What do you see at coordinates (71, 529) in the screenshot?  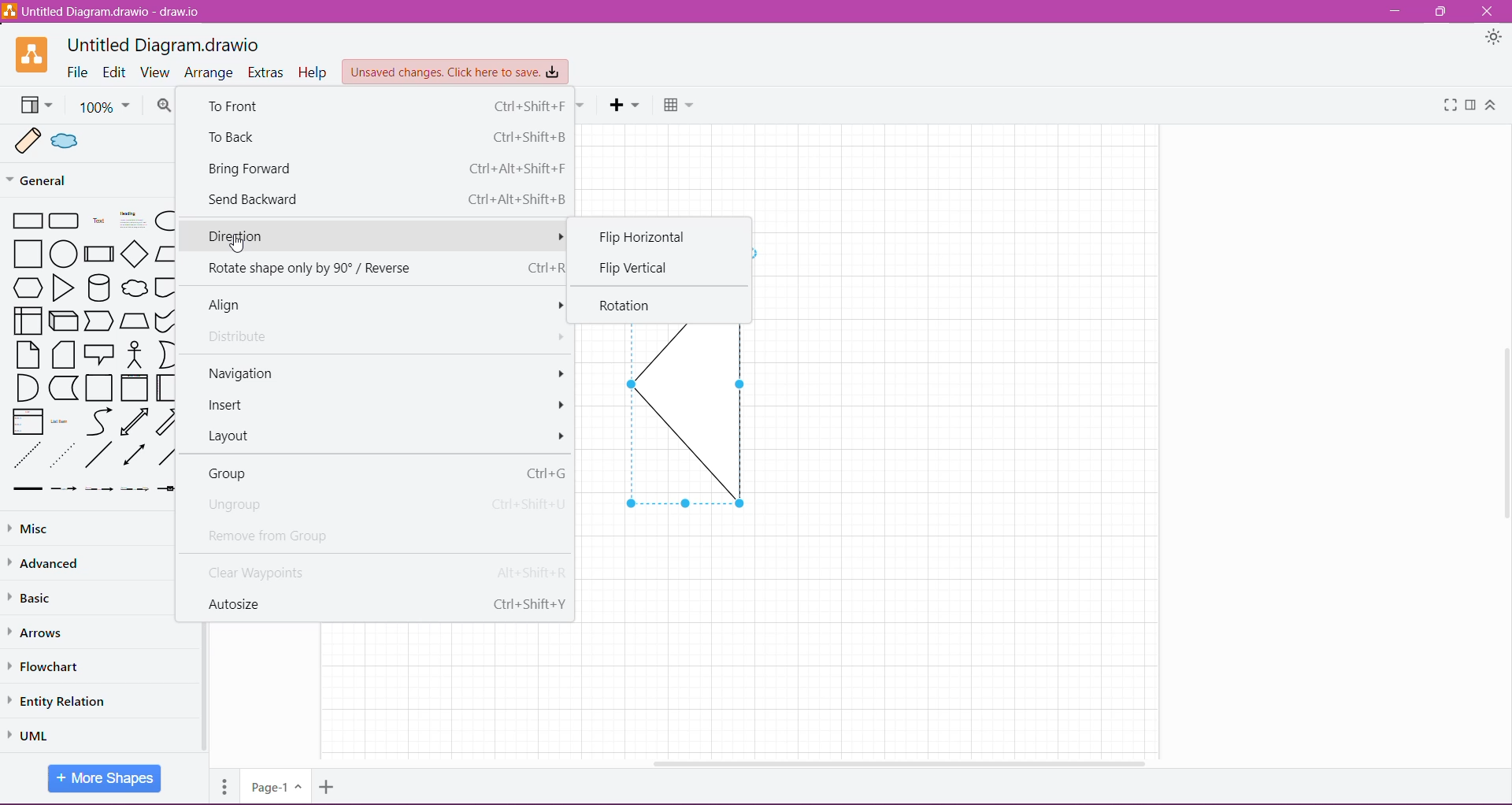 I see `Misc` at bounding box center [71, 529].